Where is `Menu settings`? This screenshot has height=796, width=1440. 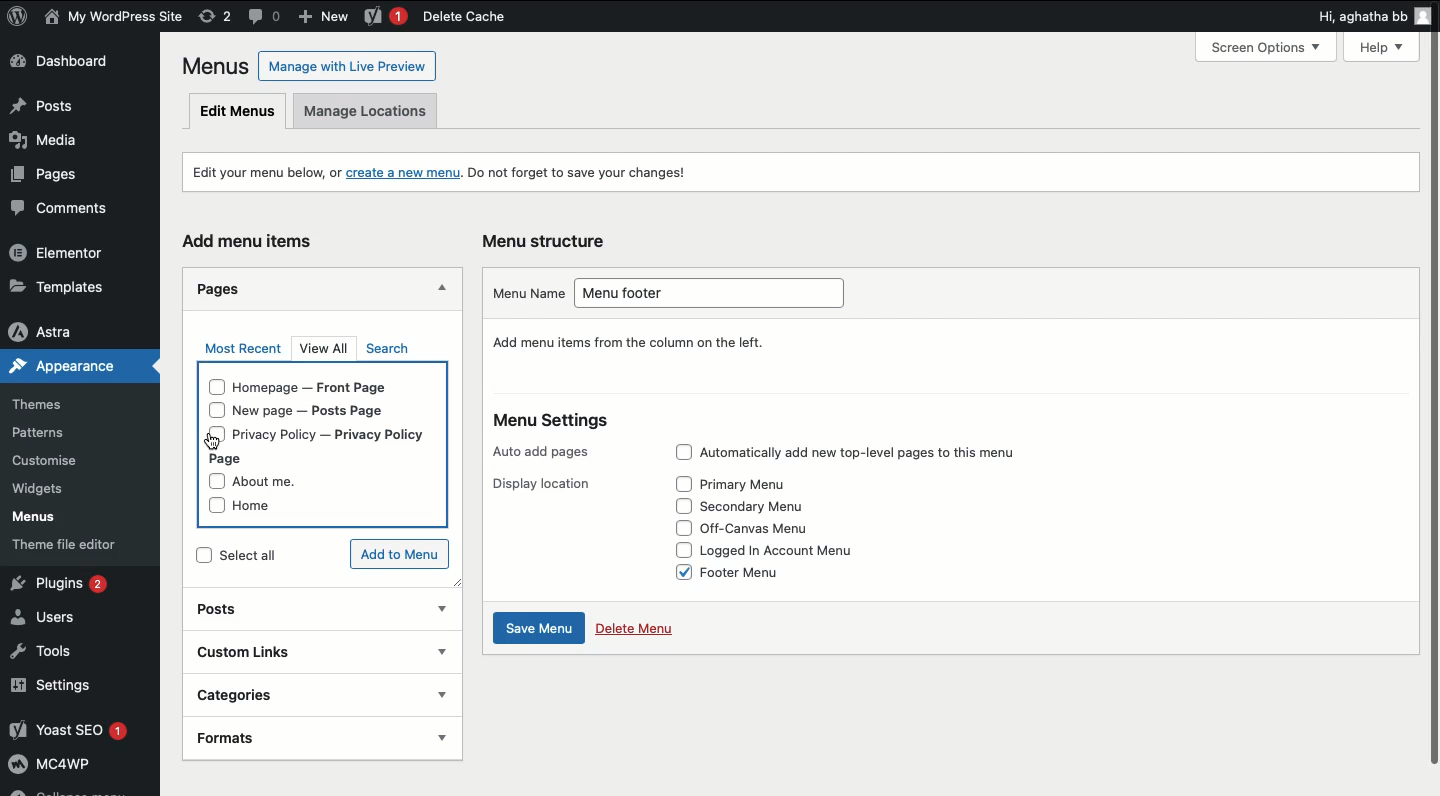 Menu settings is located at coordinates (553, 423).